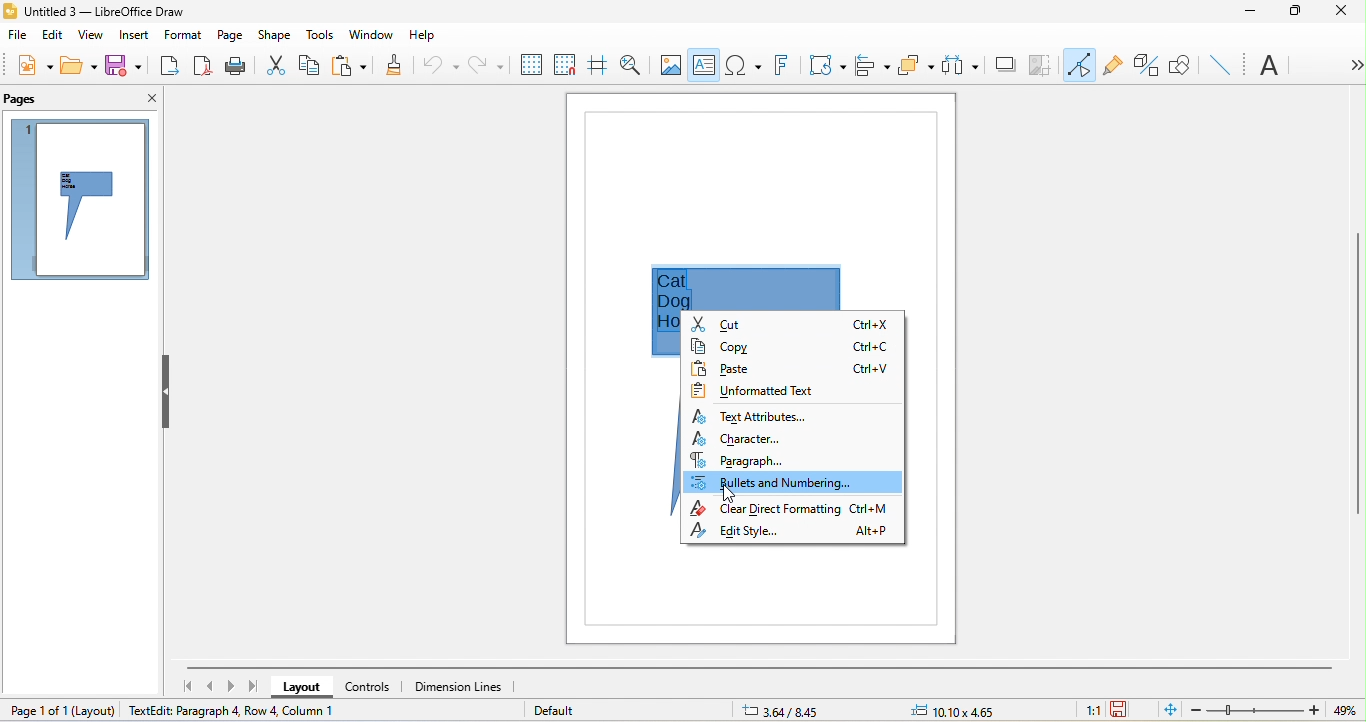 Image resolution: width=1366 pixels, height=722 pixels. What do you see at coordinates (1257, 710) in the screenshot?
I see `zoom bar` at bounding box center [1257, 710].